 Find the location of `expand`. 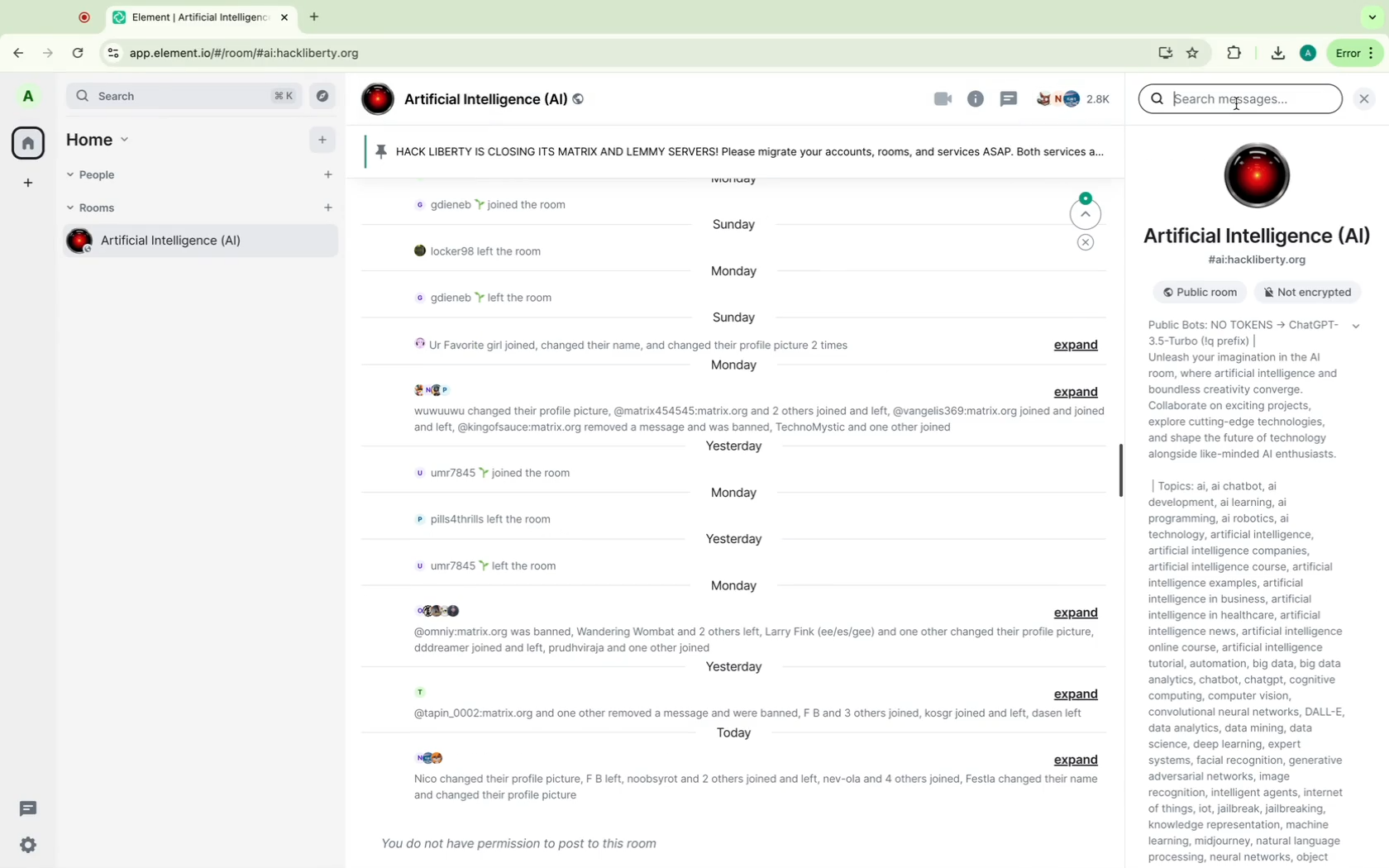

expand is located at coordinates (1074, 612).